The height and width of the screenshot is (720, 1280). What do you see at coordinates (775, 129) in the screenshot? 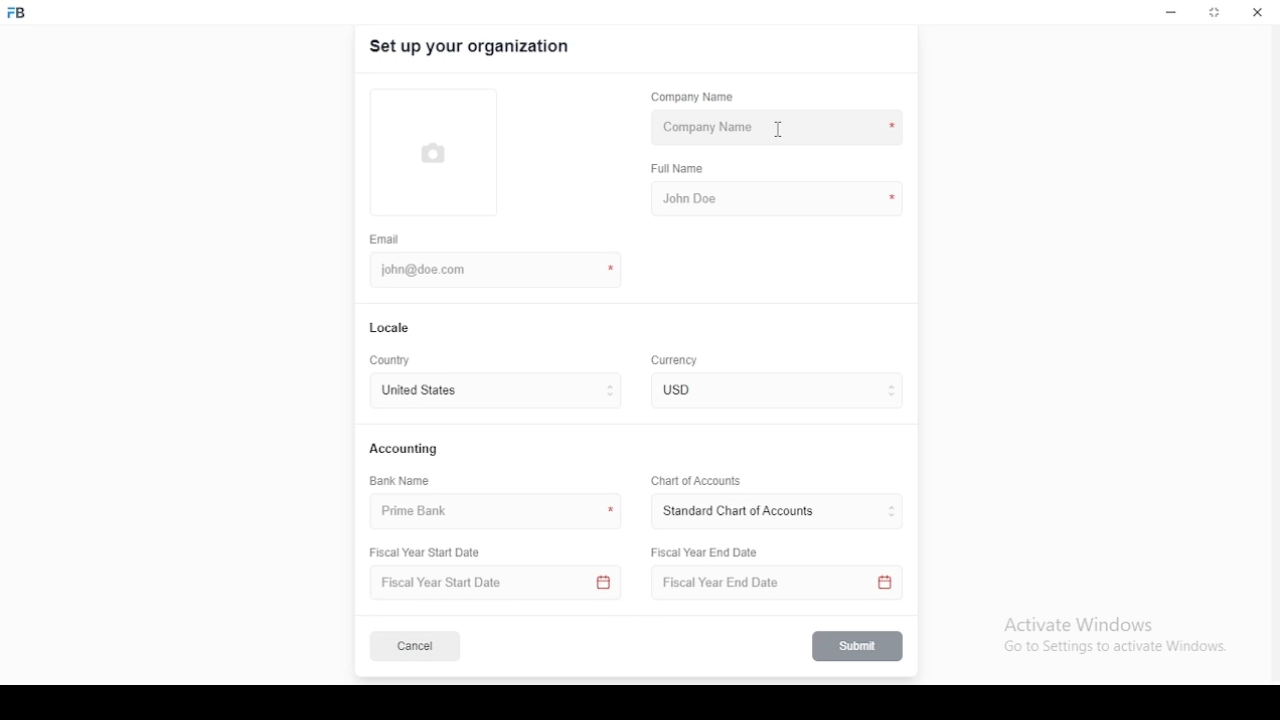
I see `mouse pointer` at bounding box center [775, 129].